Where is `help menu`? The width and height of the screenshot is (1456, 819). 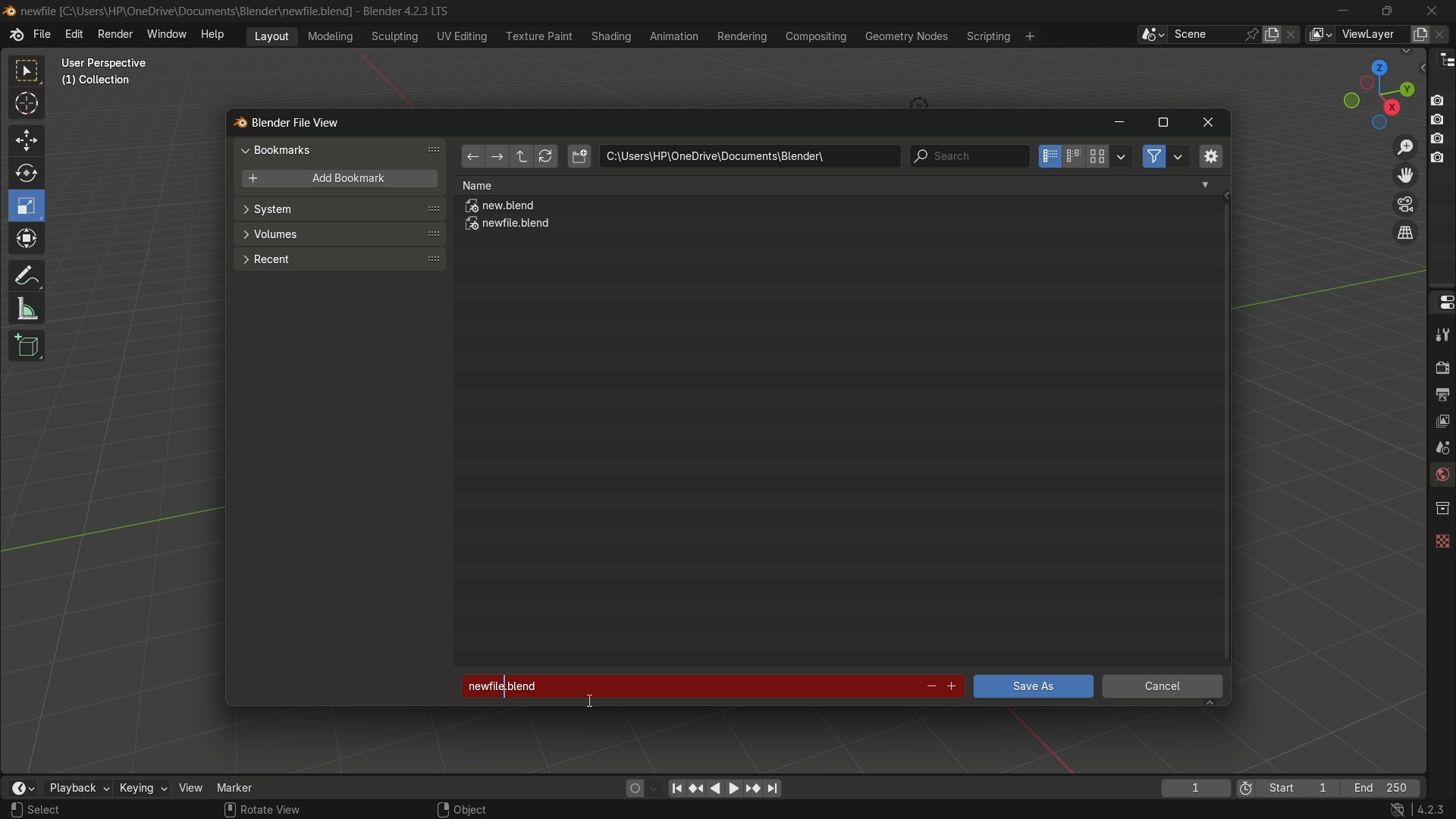 help menu is located at coordinates (216, 34).